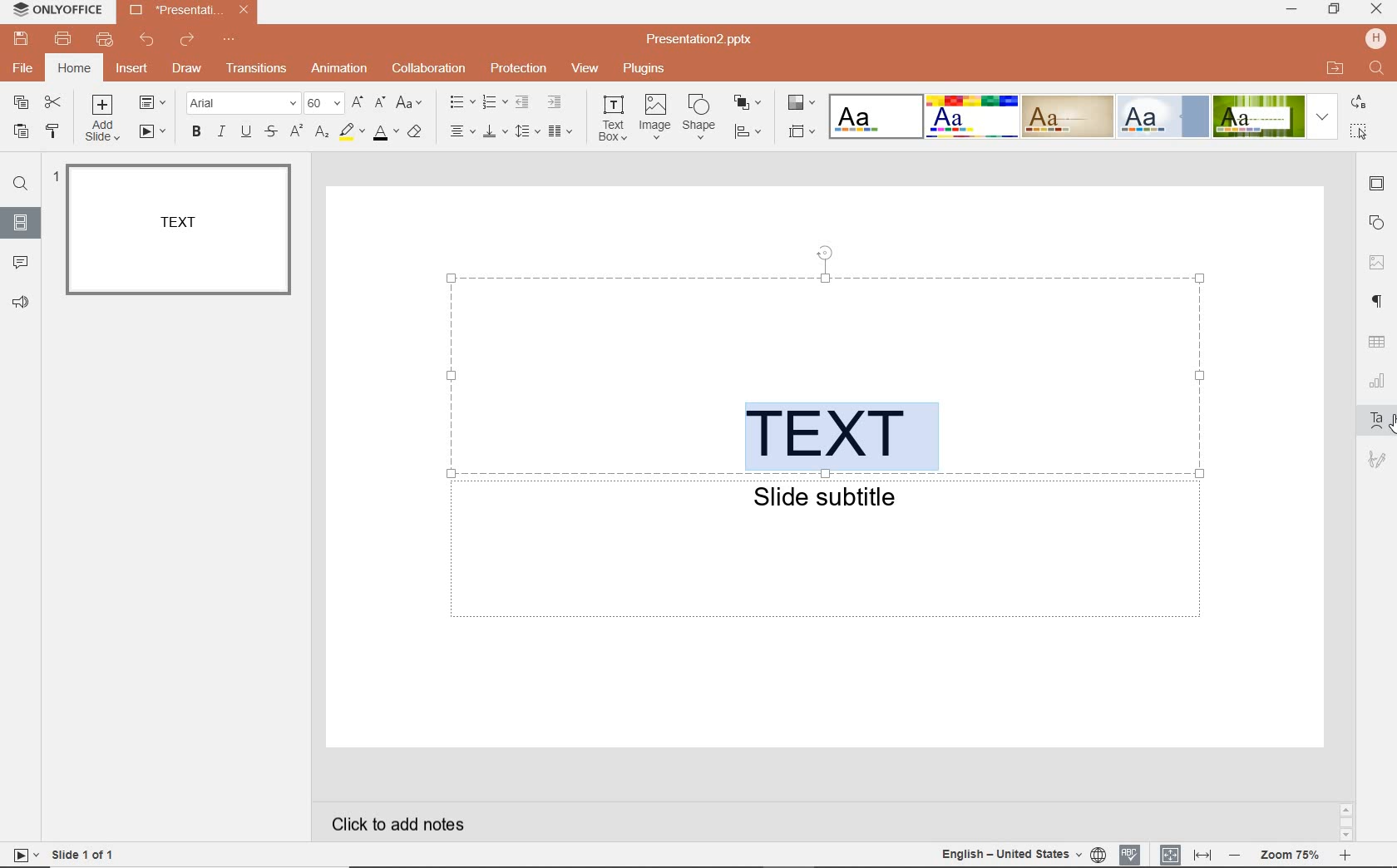 Image resolution: width=1397 pixels, height=868 pixels. Describe the element at coordinates (1131, 852) in the screenshot. I see `SPELL CHECKING` at that location.